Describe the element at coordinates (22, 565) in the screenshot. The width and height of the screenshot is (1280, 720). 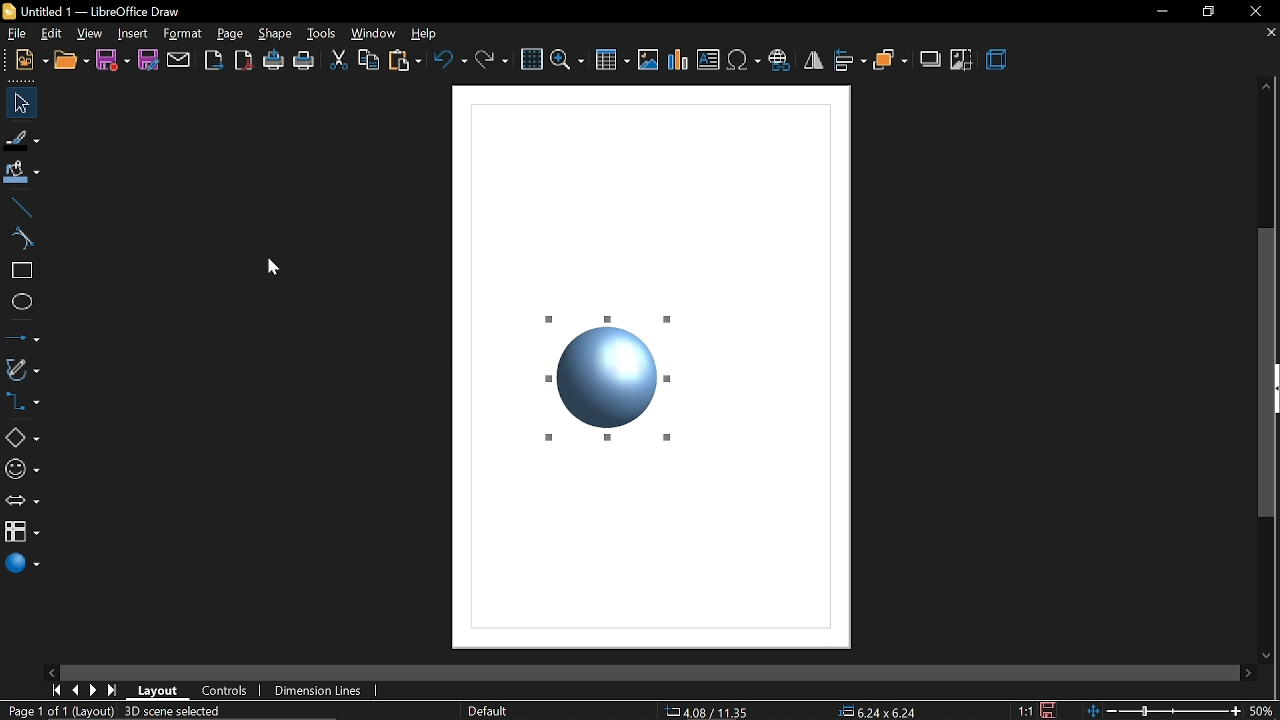
I see `3d shapes` at that location.